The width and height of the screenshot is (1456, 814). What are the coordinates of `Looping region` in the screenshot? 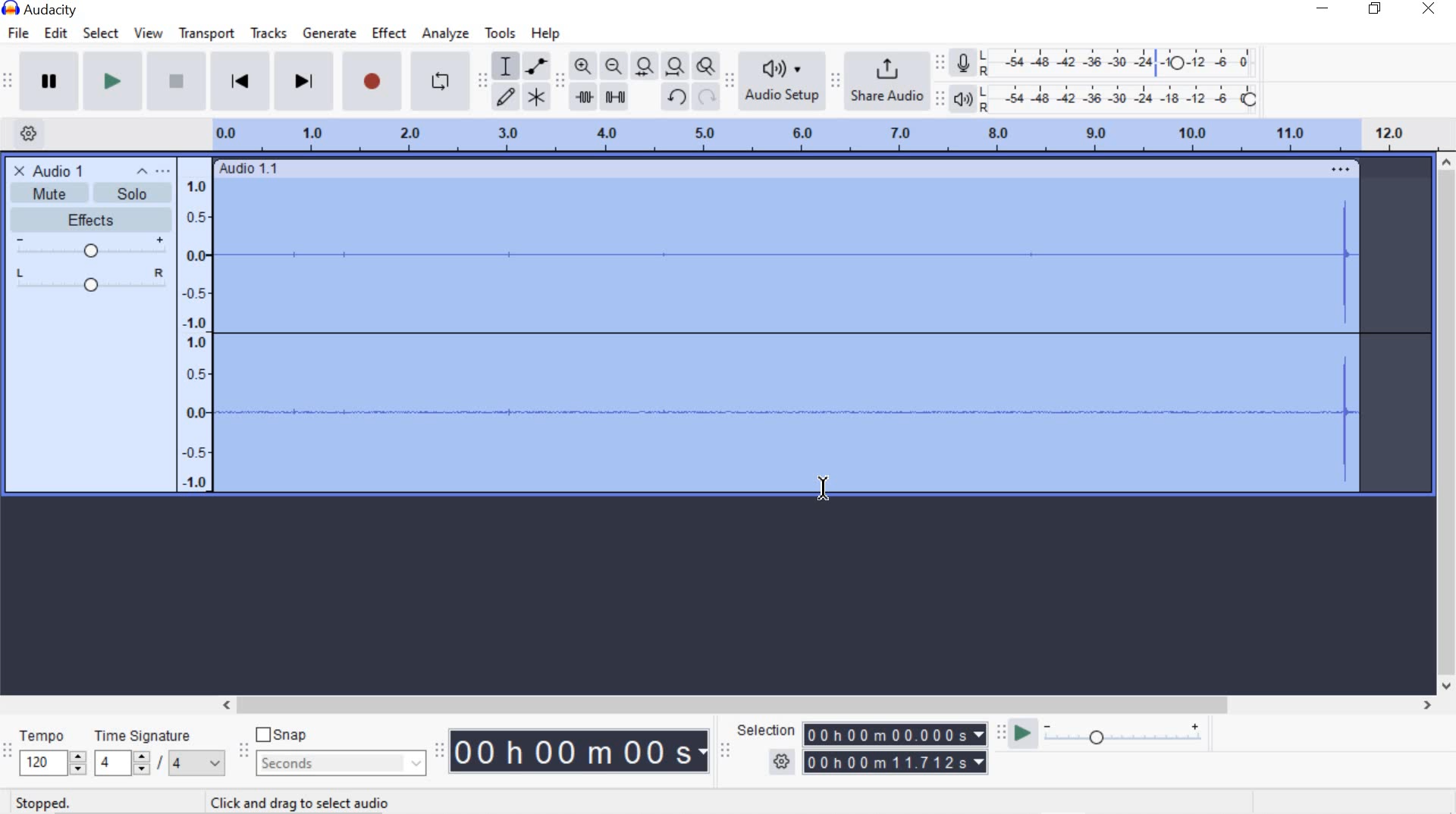 It's located at (831, 133).